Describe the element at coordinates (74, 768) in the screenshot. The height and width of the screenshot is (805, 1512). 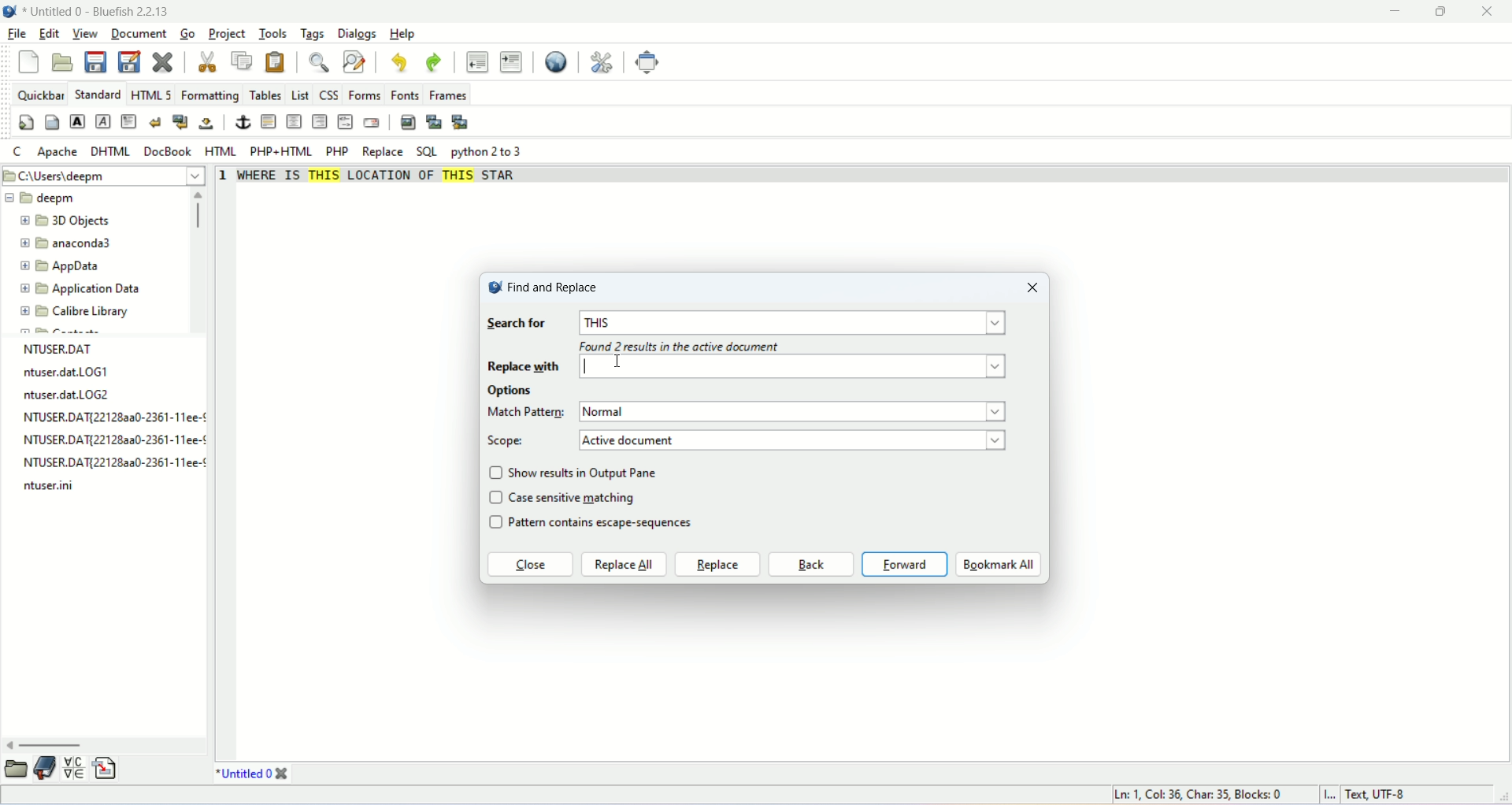
I see `char map` at that location.